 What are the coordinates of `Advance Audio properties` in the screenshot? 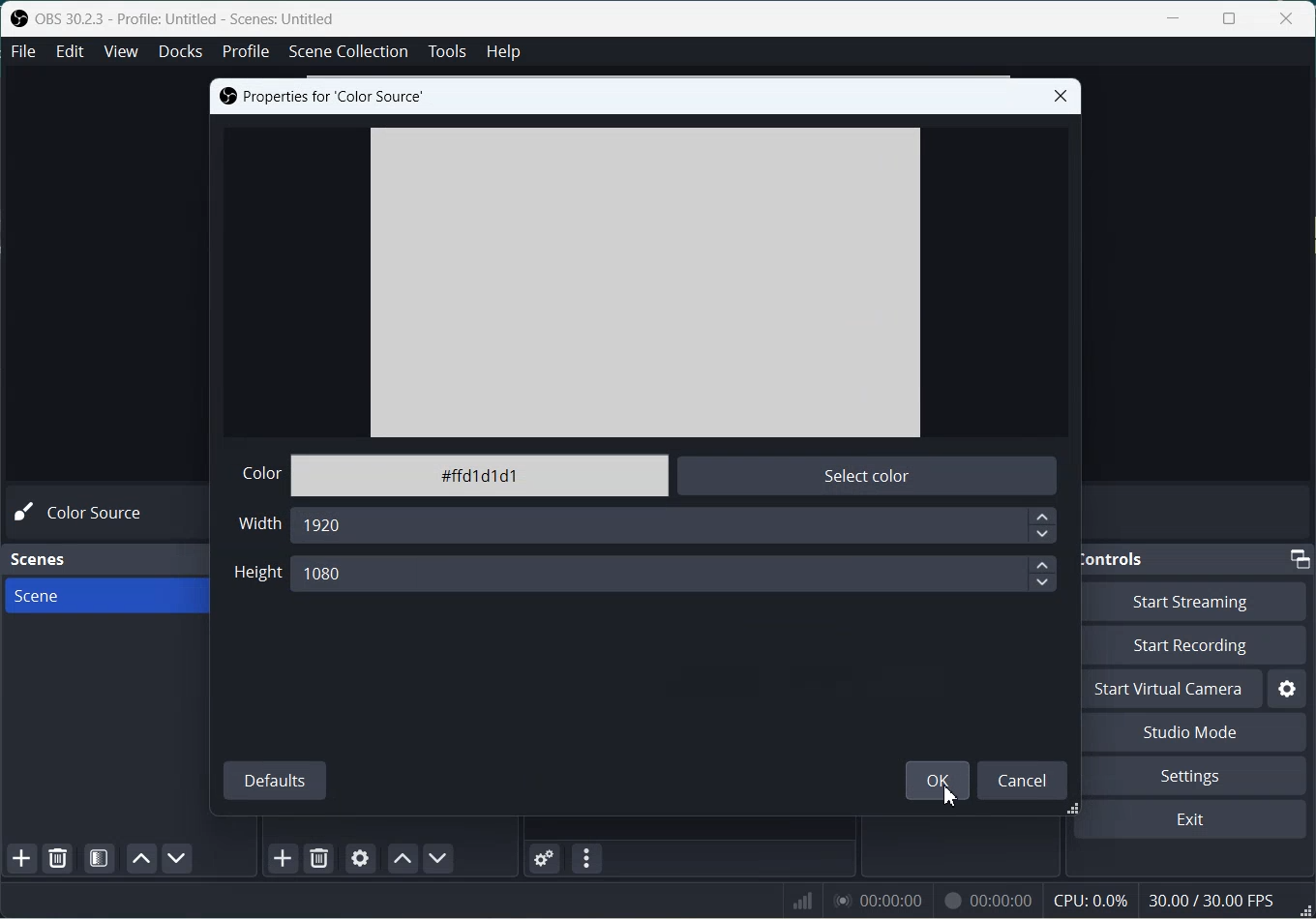 It's located at (545, 858).